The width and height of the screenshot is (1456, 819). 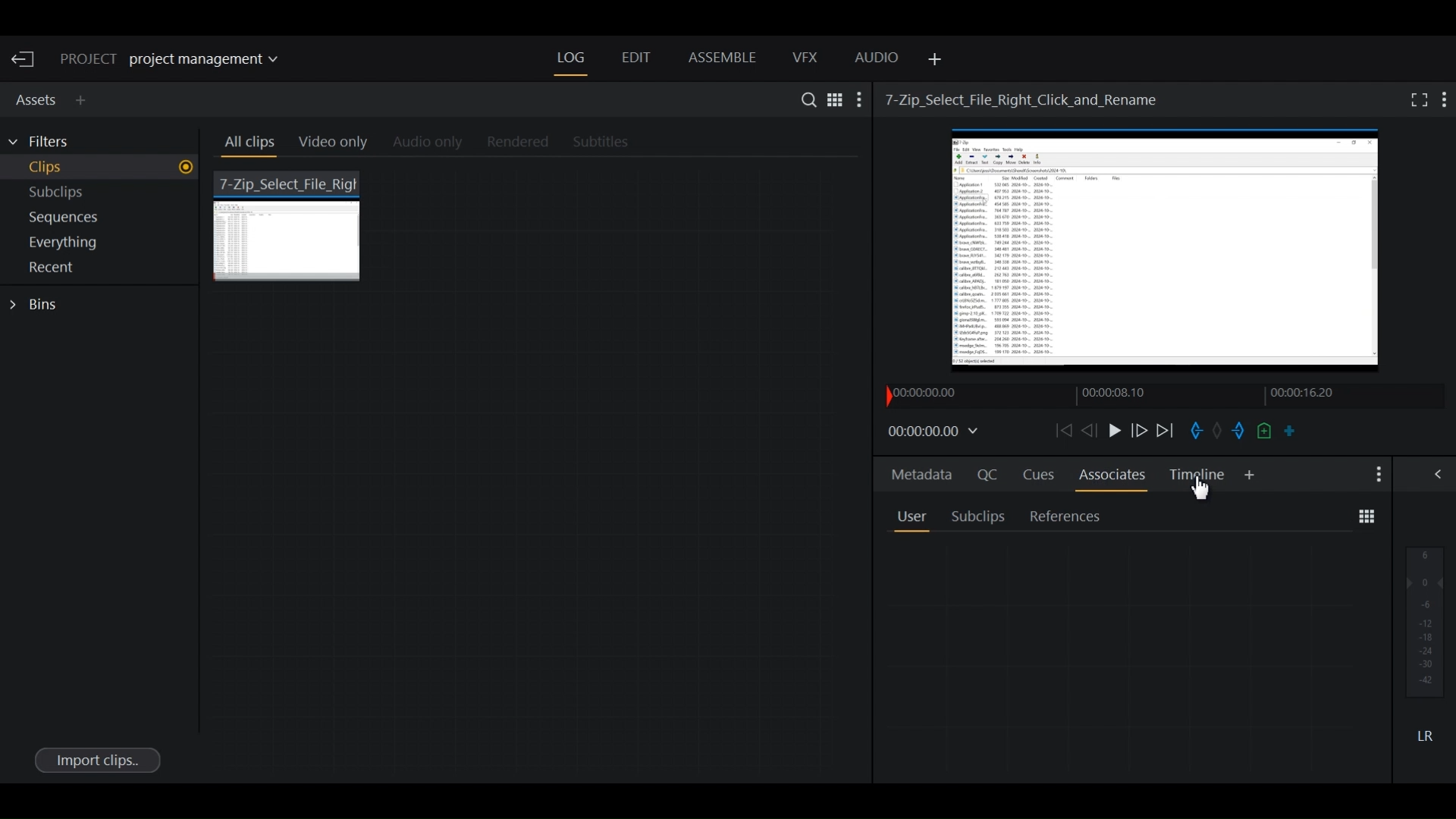 I want to click on Video Only, so click(x=340, y=145).